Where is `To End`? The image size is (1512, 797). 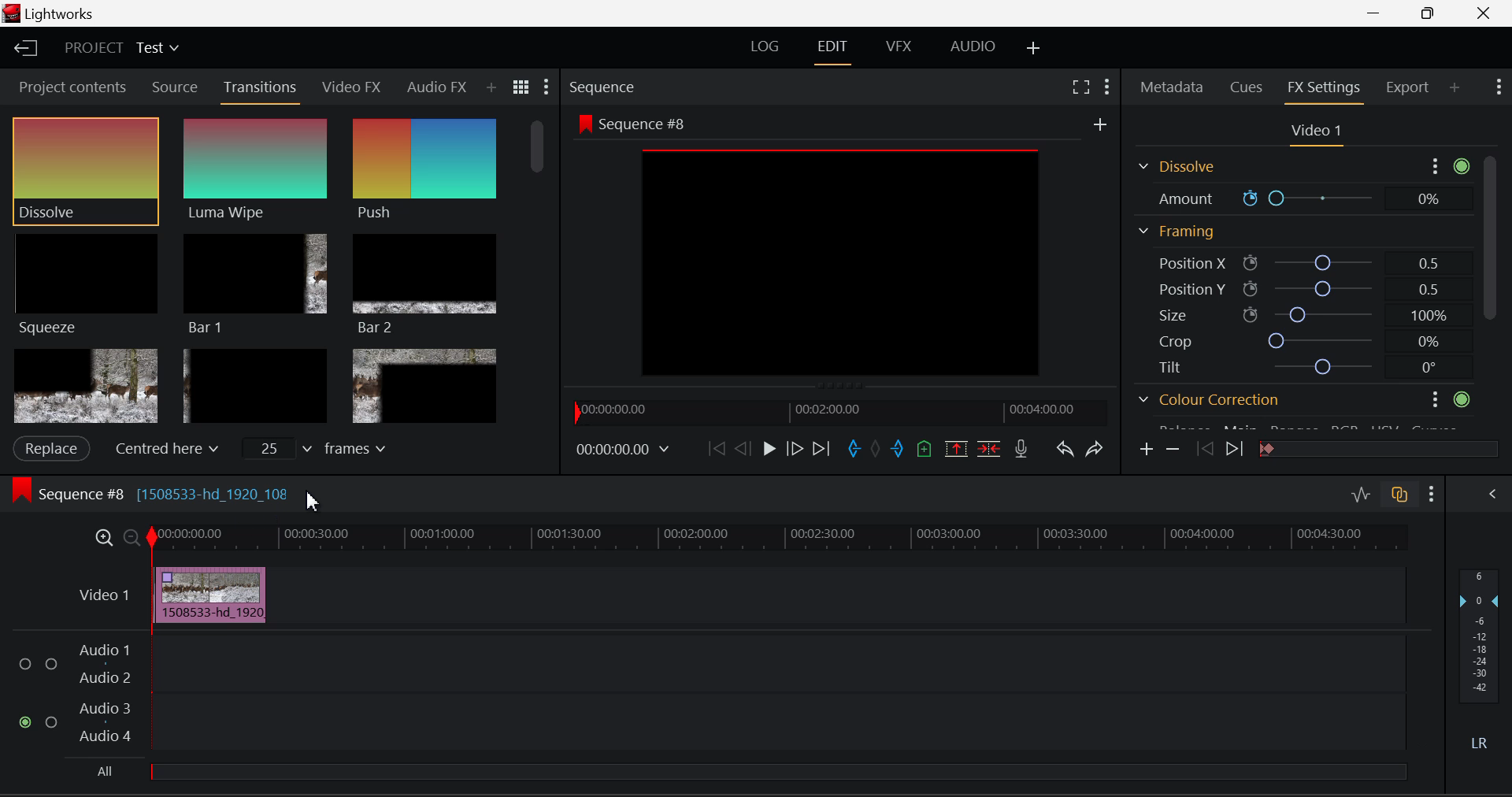
To End is located at coordinates (821, 450).